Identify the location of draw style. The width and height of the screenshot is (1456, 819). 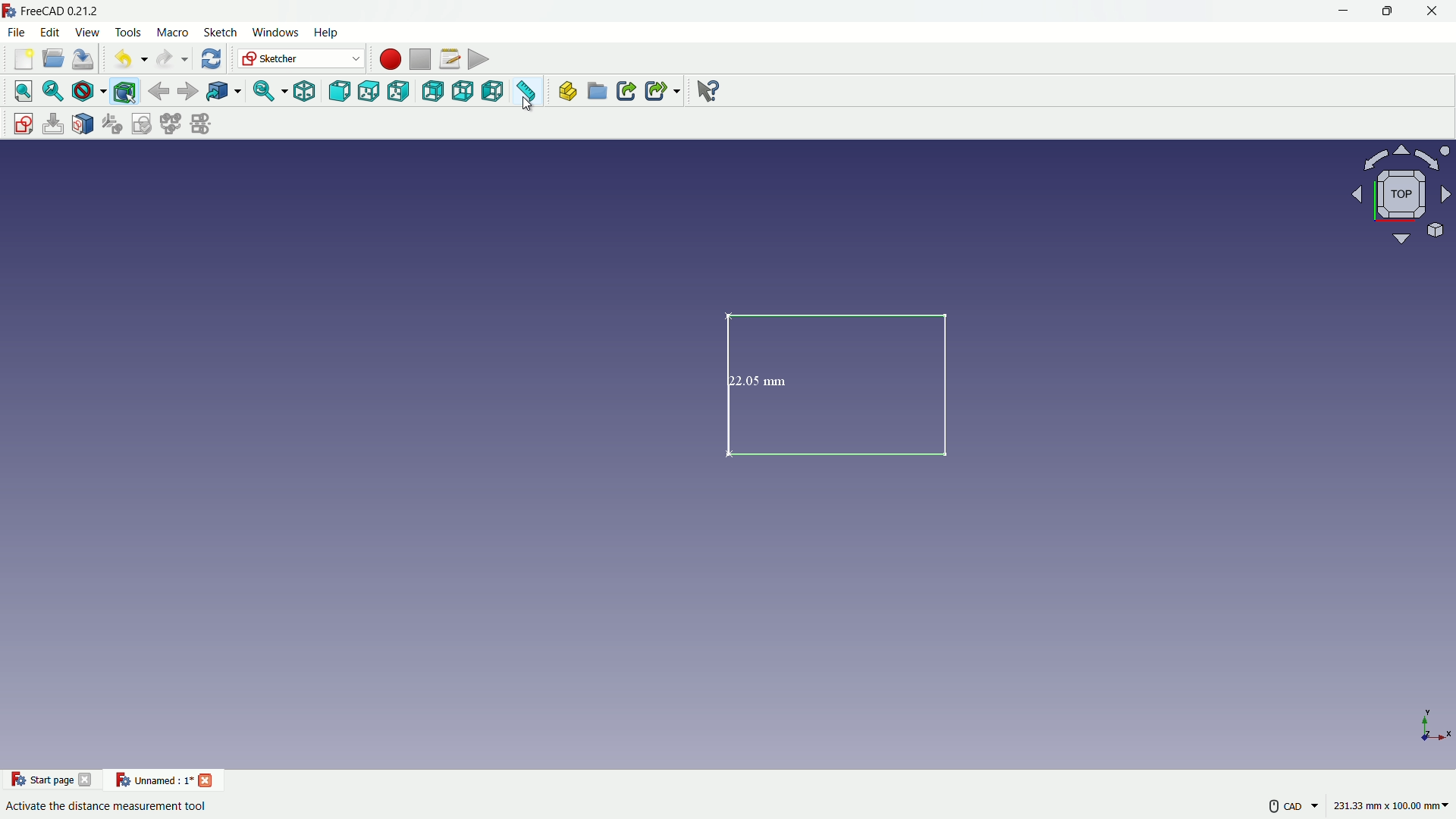
(89, 91).